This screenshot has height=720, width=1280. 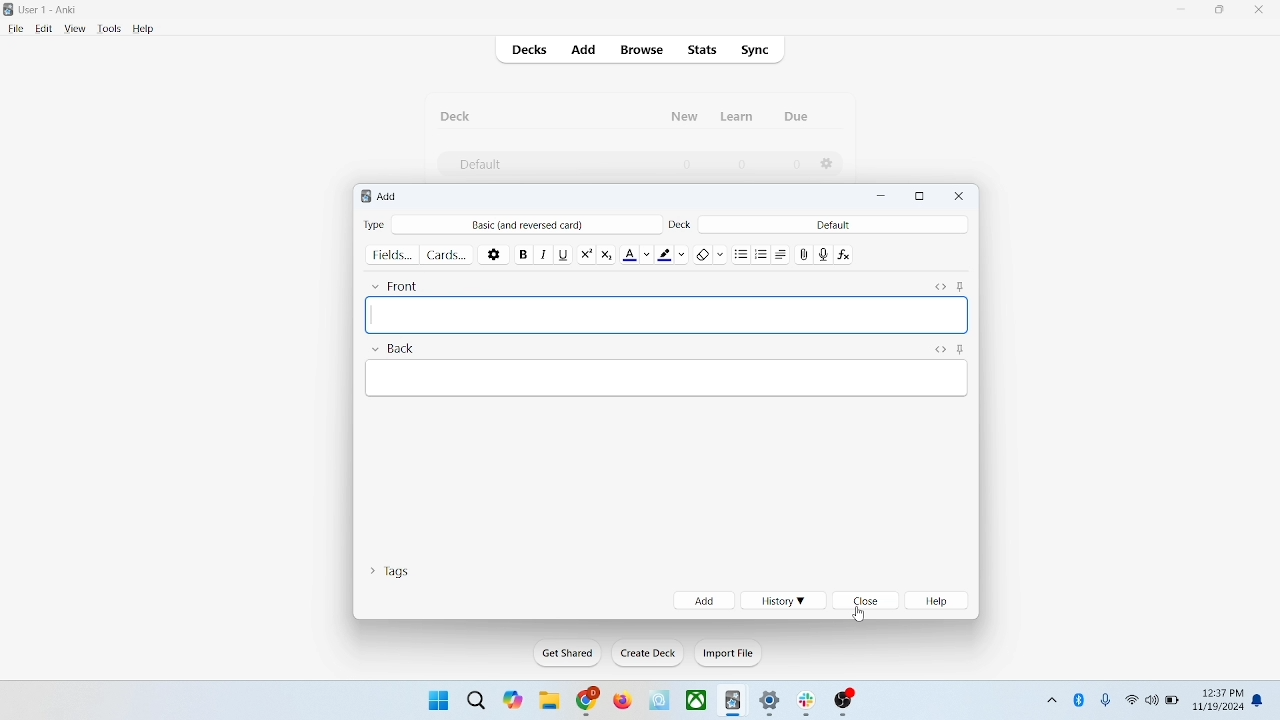 I want to click on maximize, so click(x=920, y=197).